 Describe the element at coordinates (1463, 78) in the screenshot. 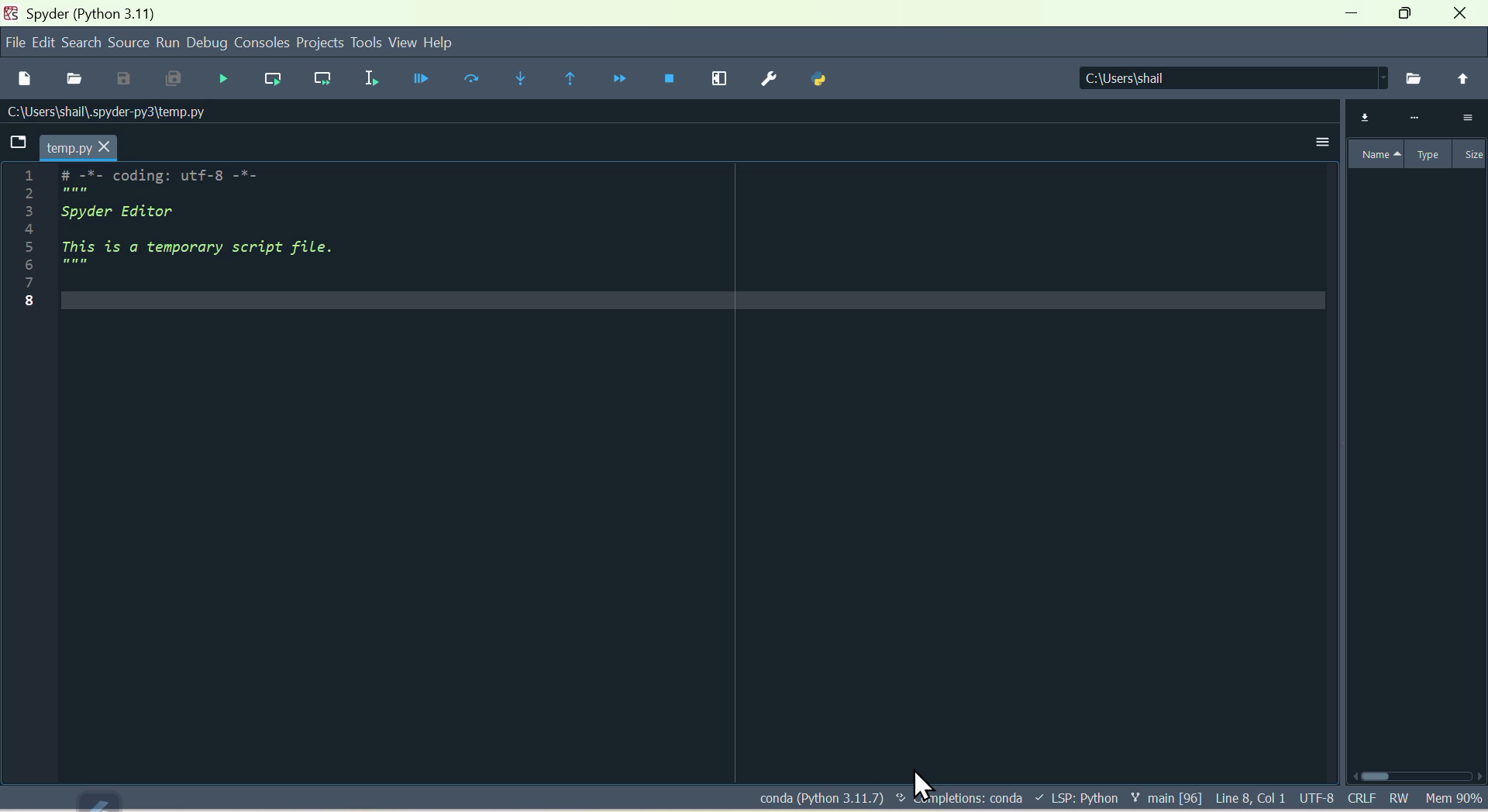

I see `back` at that location.